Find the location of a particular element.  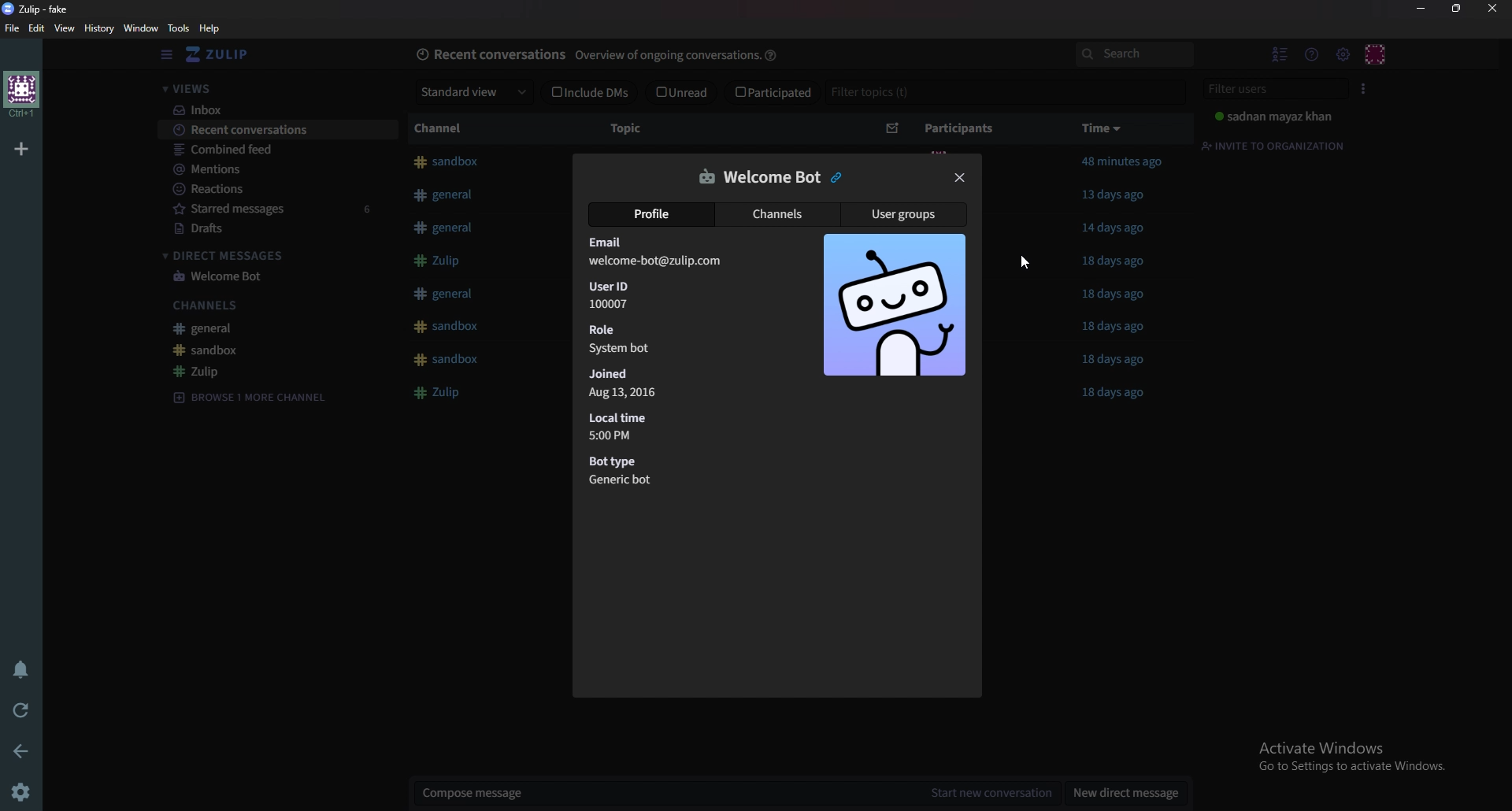

 is located at coordinates (438, 261).